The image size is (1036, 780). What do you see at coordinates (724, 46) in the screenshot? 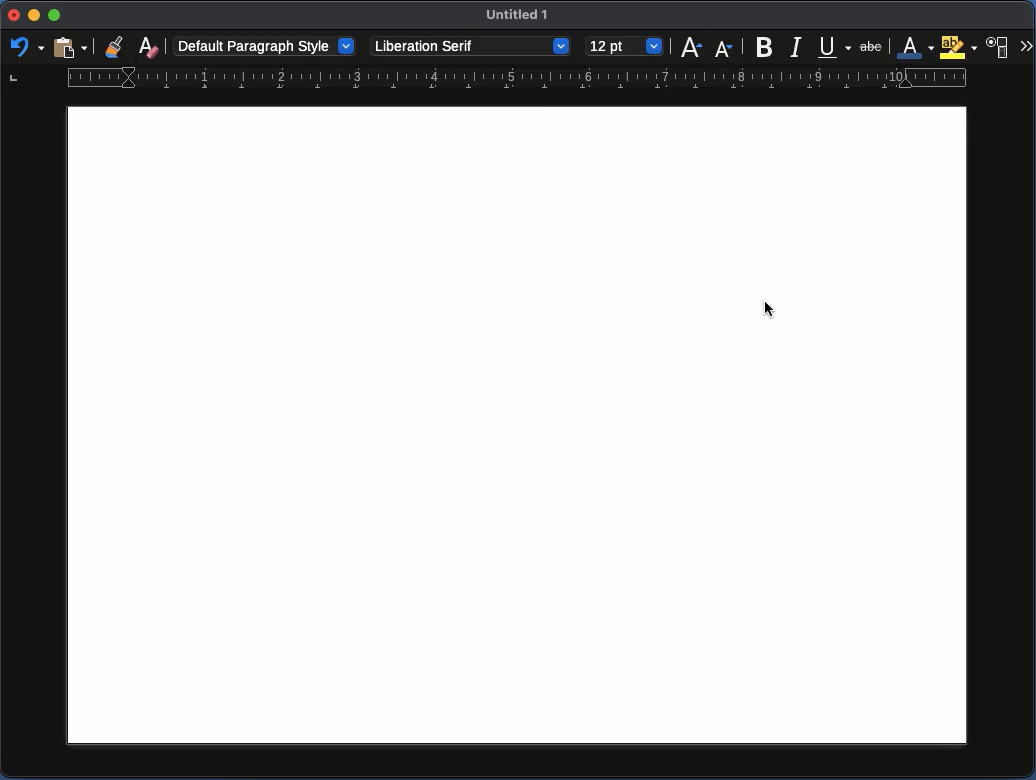
I see `Size decrease` at bounding box center [724, 46].